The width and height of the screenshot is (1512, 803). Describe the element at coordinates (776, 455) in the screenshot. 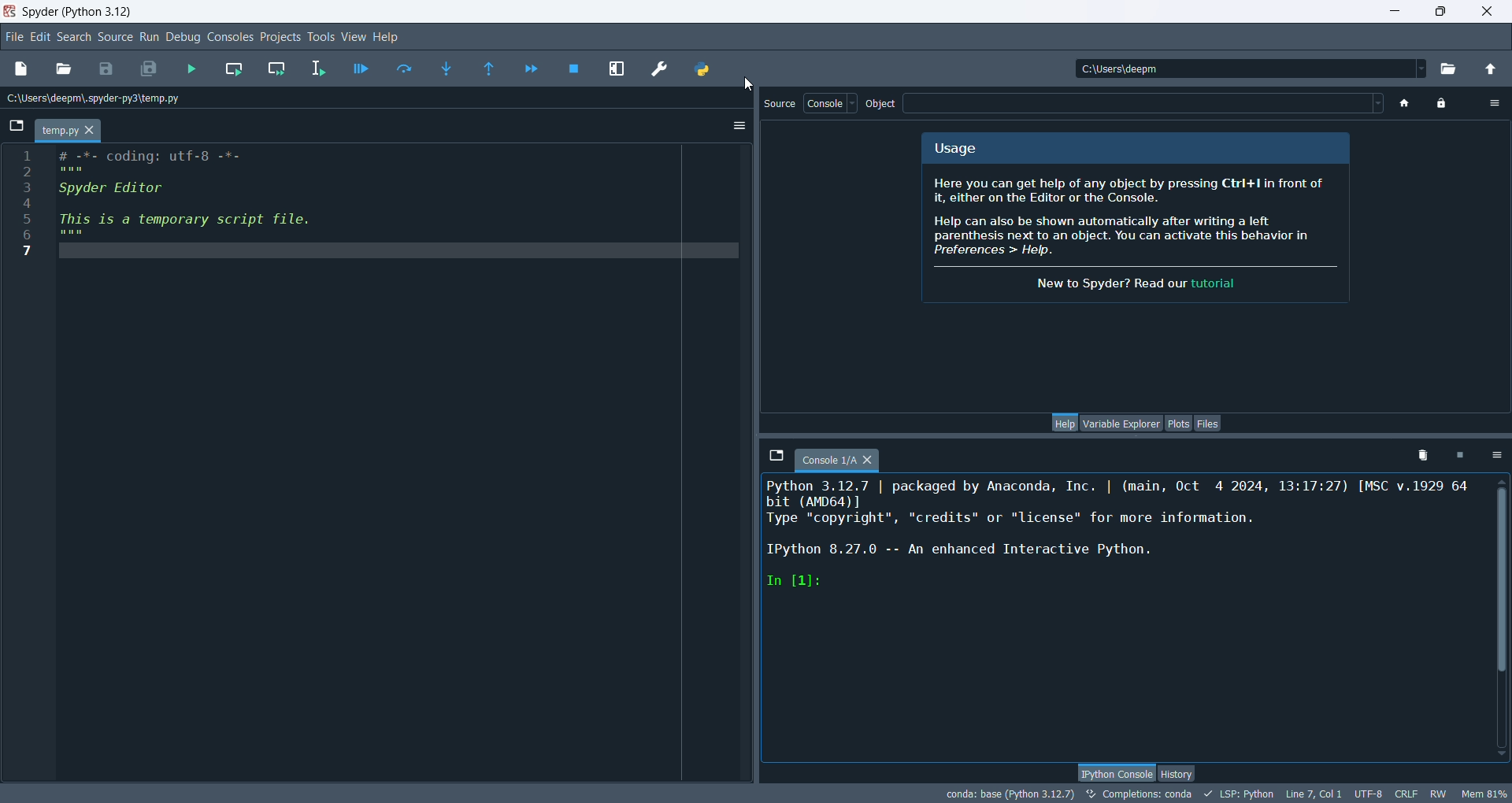

I see `browse tabs` at that location.